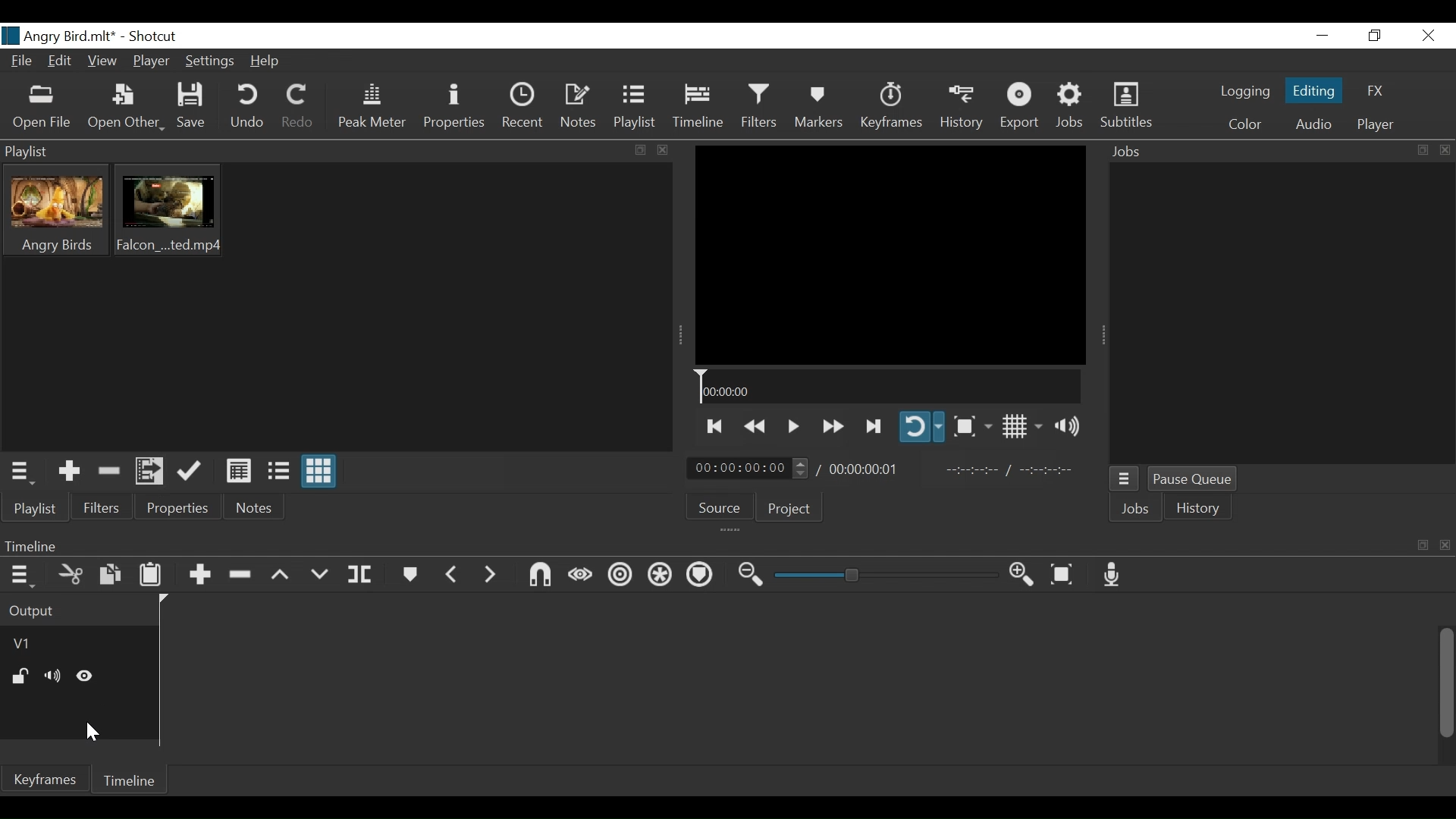 Image resolution: width=1456 pixels, height=819 pixels. Describe the element at coordinates (19, 677) in the screenshot. I see `(un)lock track` at that location.